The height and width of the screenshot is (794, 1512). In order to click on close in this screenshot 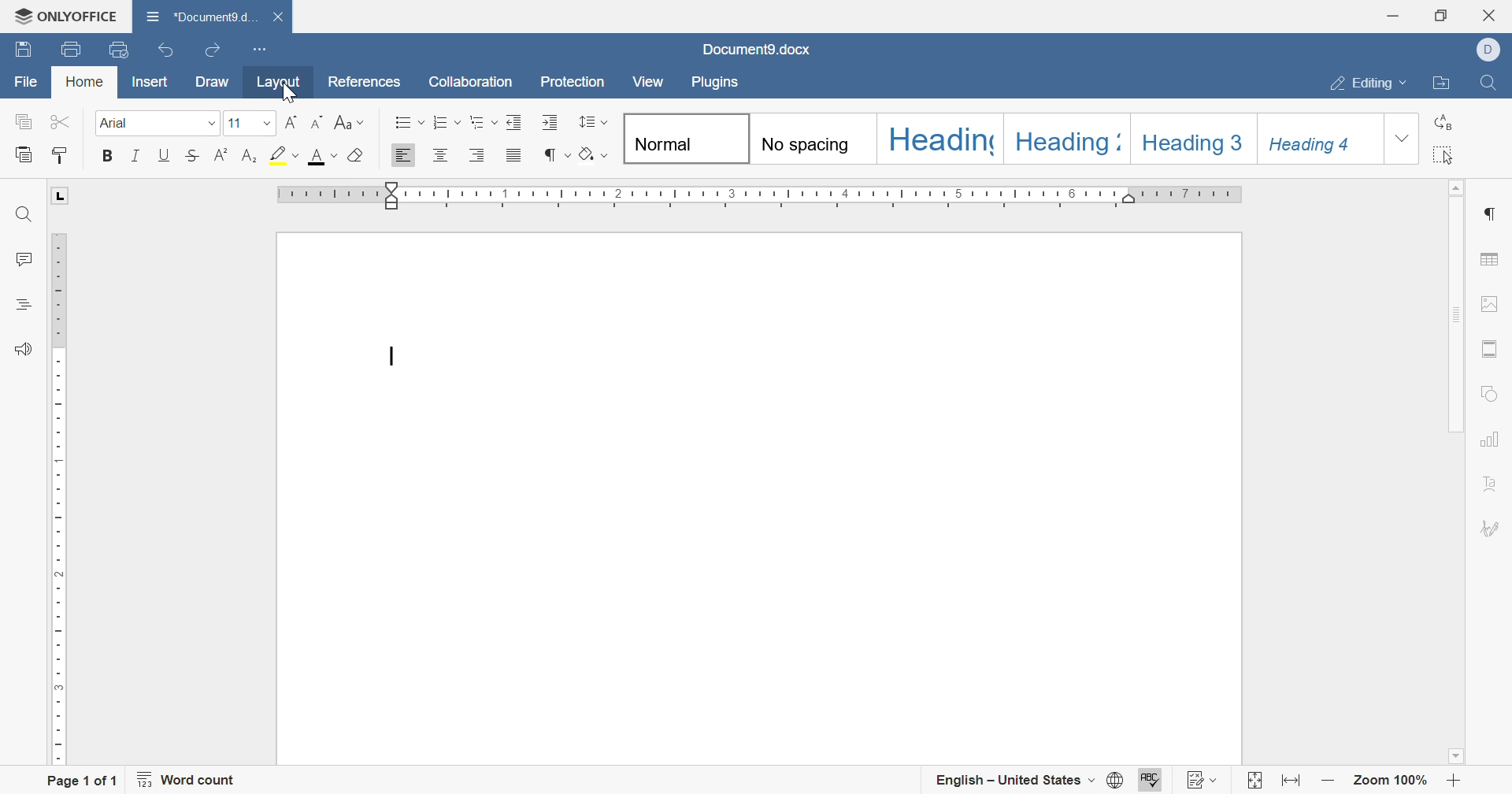, I will do `click(1494, 15)`.